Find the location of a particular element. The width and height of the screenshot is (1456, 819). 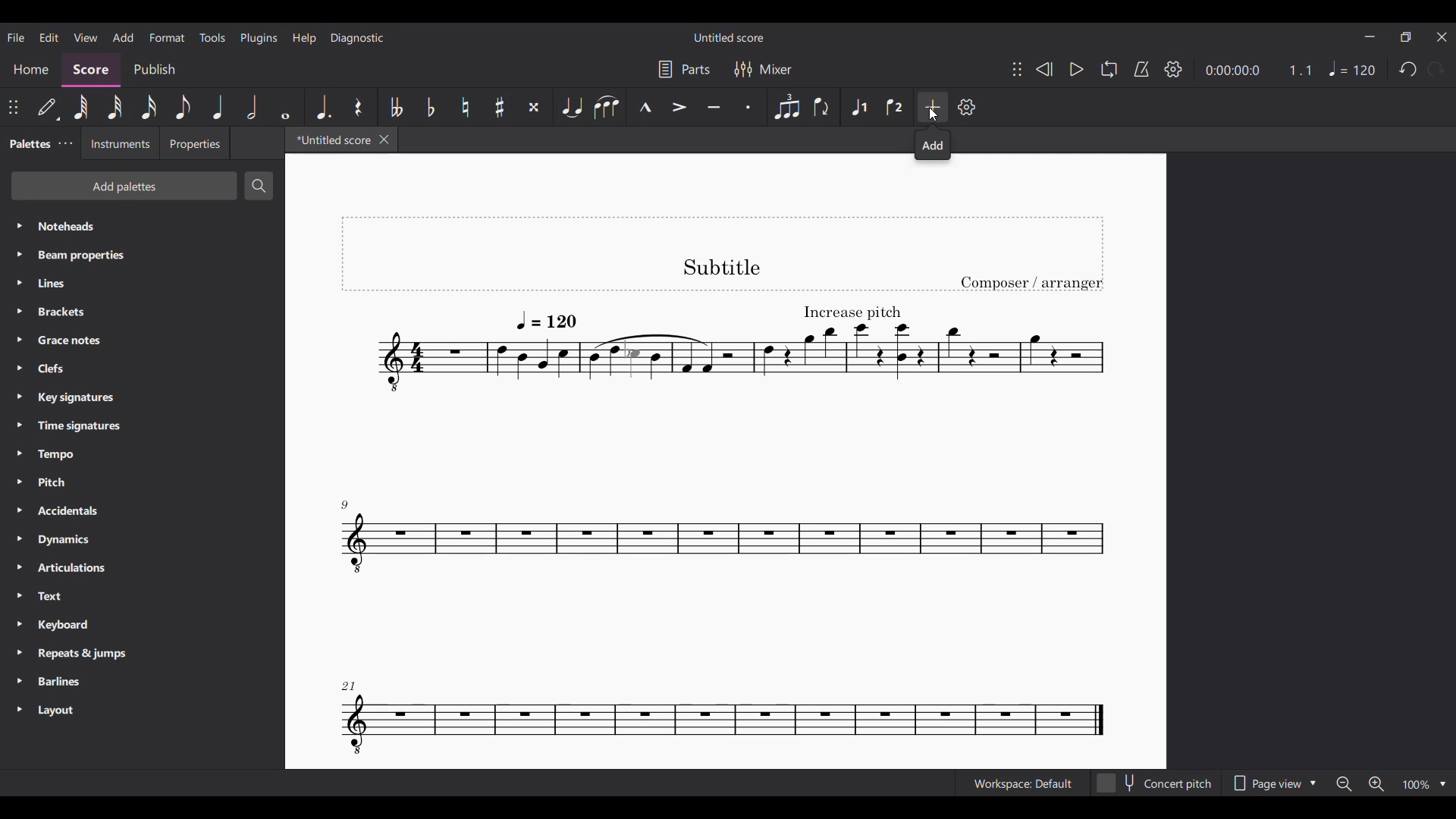

8th note is located at coordinates (182, 107).